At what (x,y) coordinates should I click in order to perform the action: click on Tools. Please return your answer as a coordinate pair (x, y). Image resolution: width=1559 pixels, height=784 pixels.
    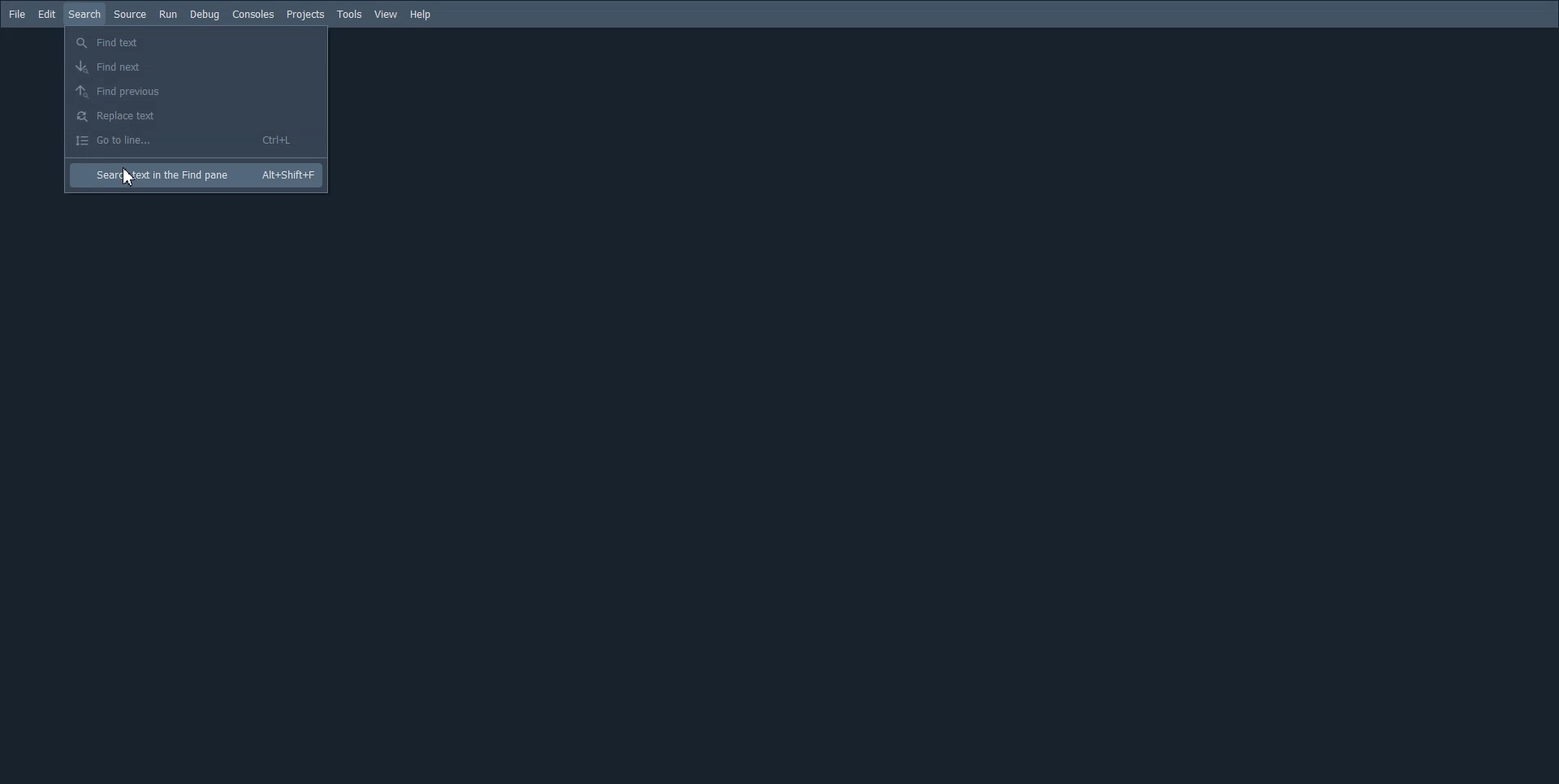
    Looking at the image, I should click on (349, 13).